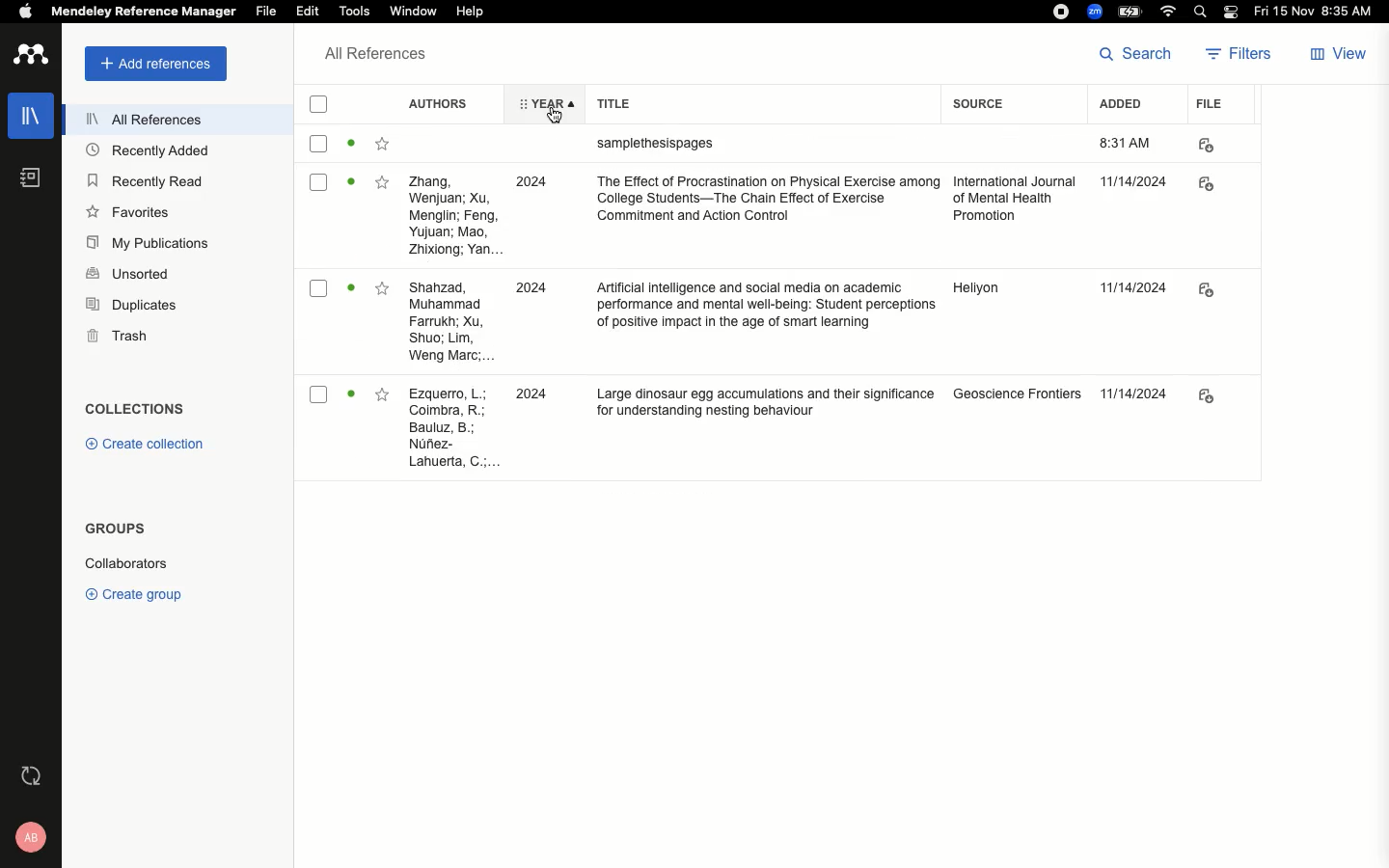 This screenshot has height=868, width=1389. Describe the element at coordinates (537, 101) in the screenshot. I see `Year of publication` at that location.